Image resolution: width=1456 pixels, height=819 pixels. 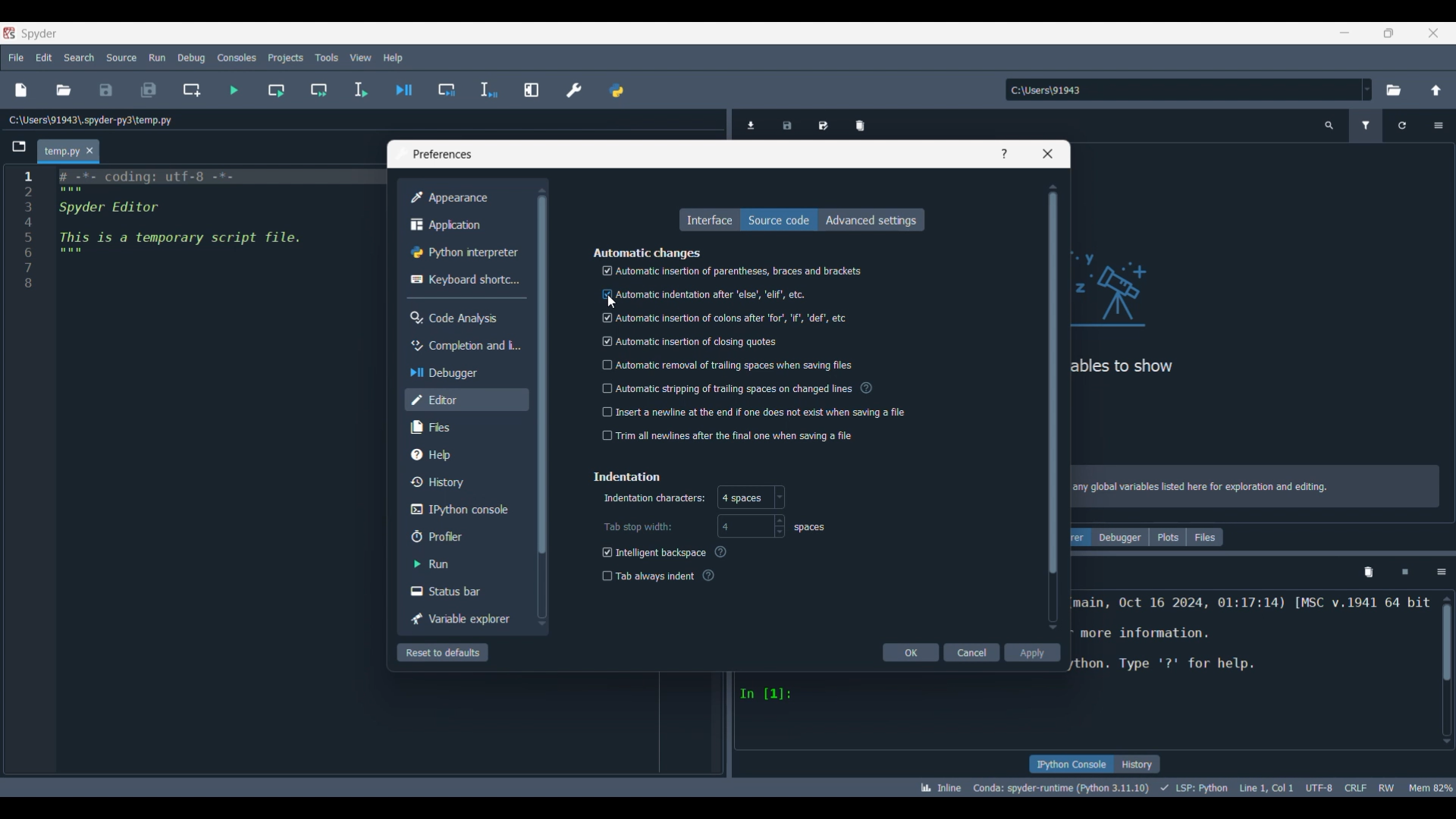 What do you see at coordinates (359, 90) in the screenshot?
I see `Run selection/current line` at bounding box center [359, 90].